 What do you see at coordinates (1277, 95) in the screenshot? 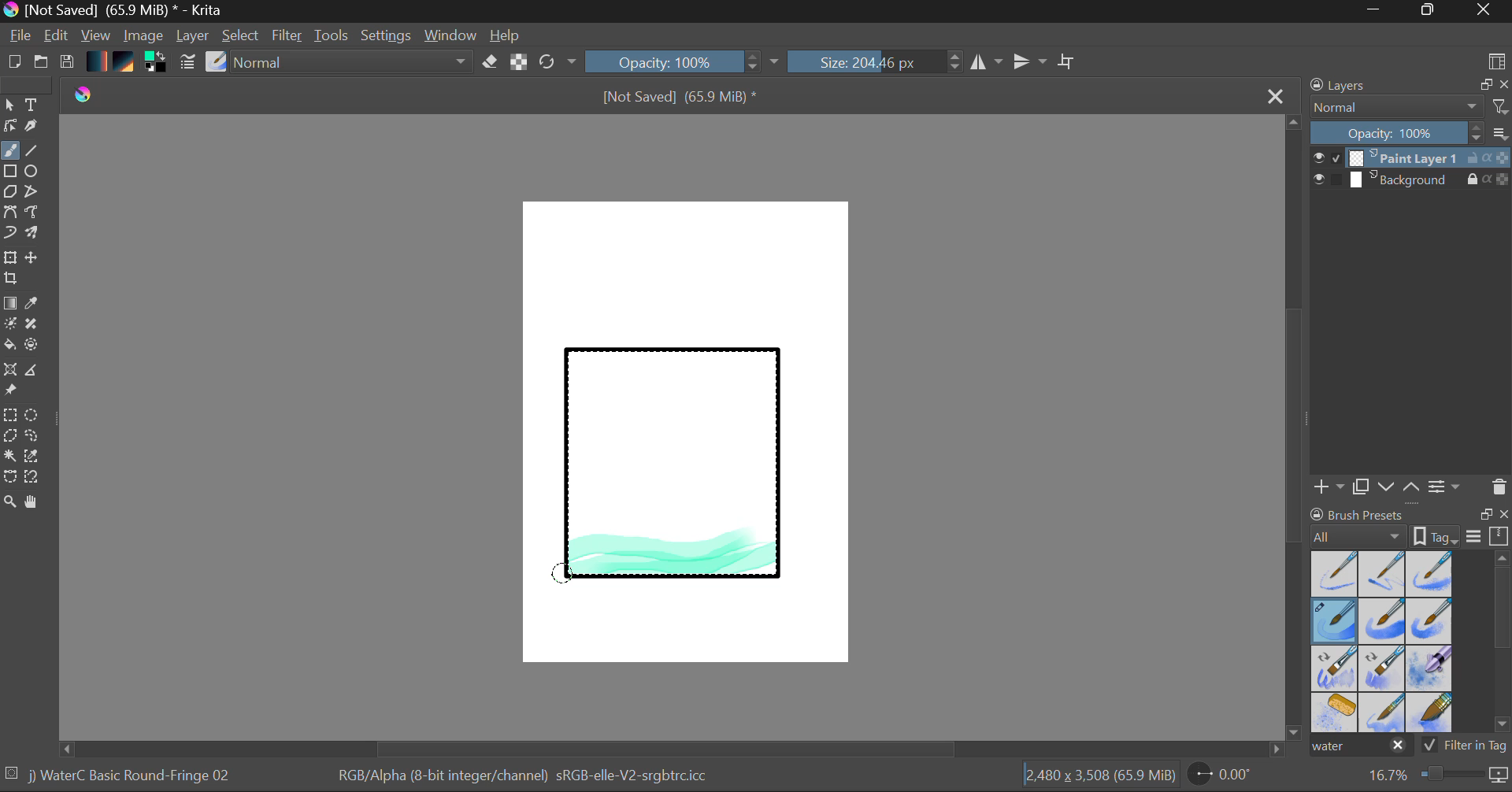
I see `Close` at bounding box center [1277, 95].